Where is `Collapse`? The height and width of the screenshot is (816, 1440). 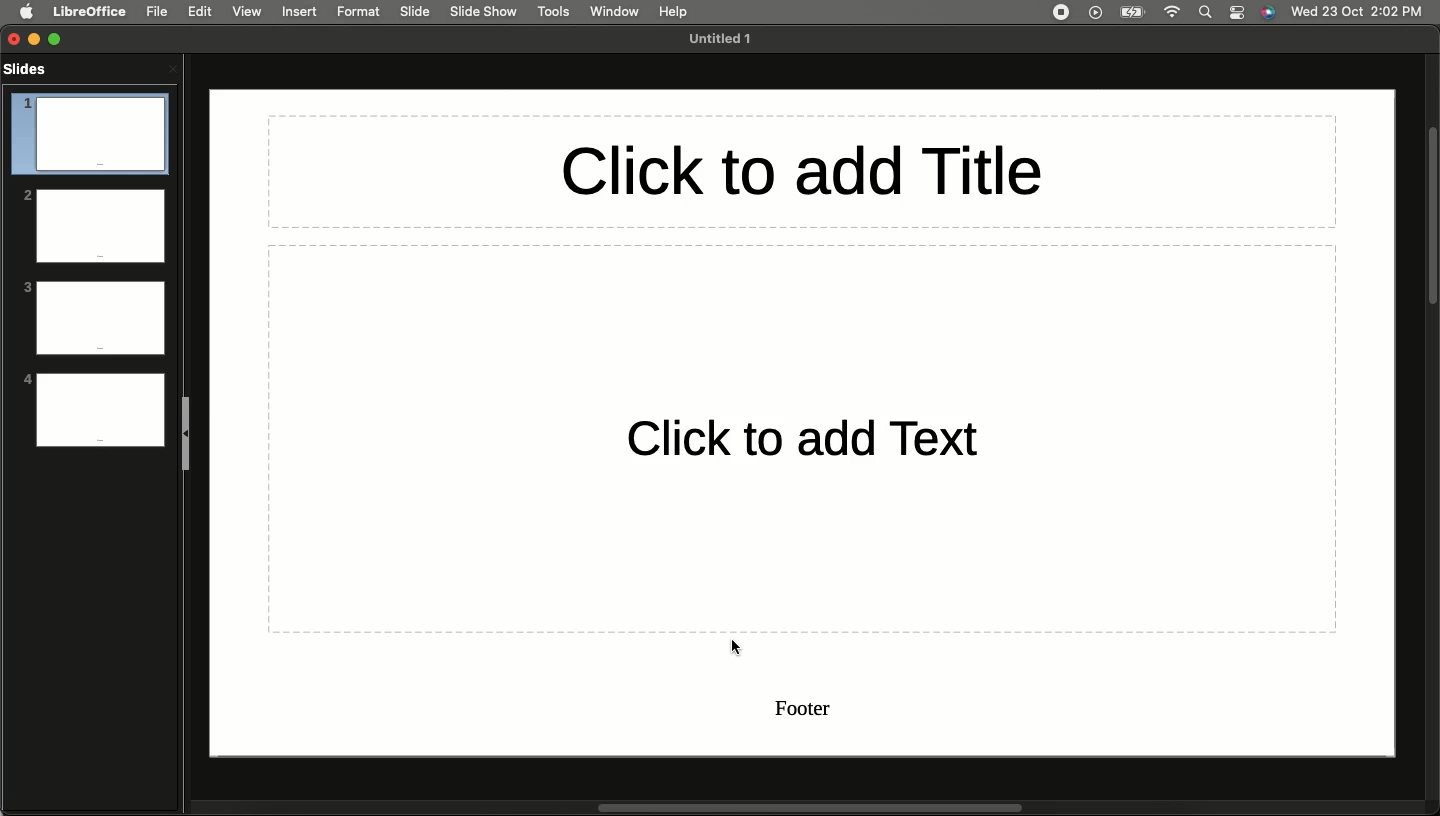 Collapse is located at coordinates (188, 432).